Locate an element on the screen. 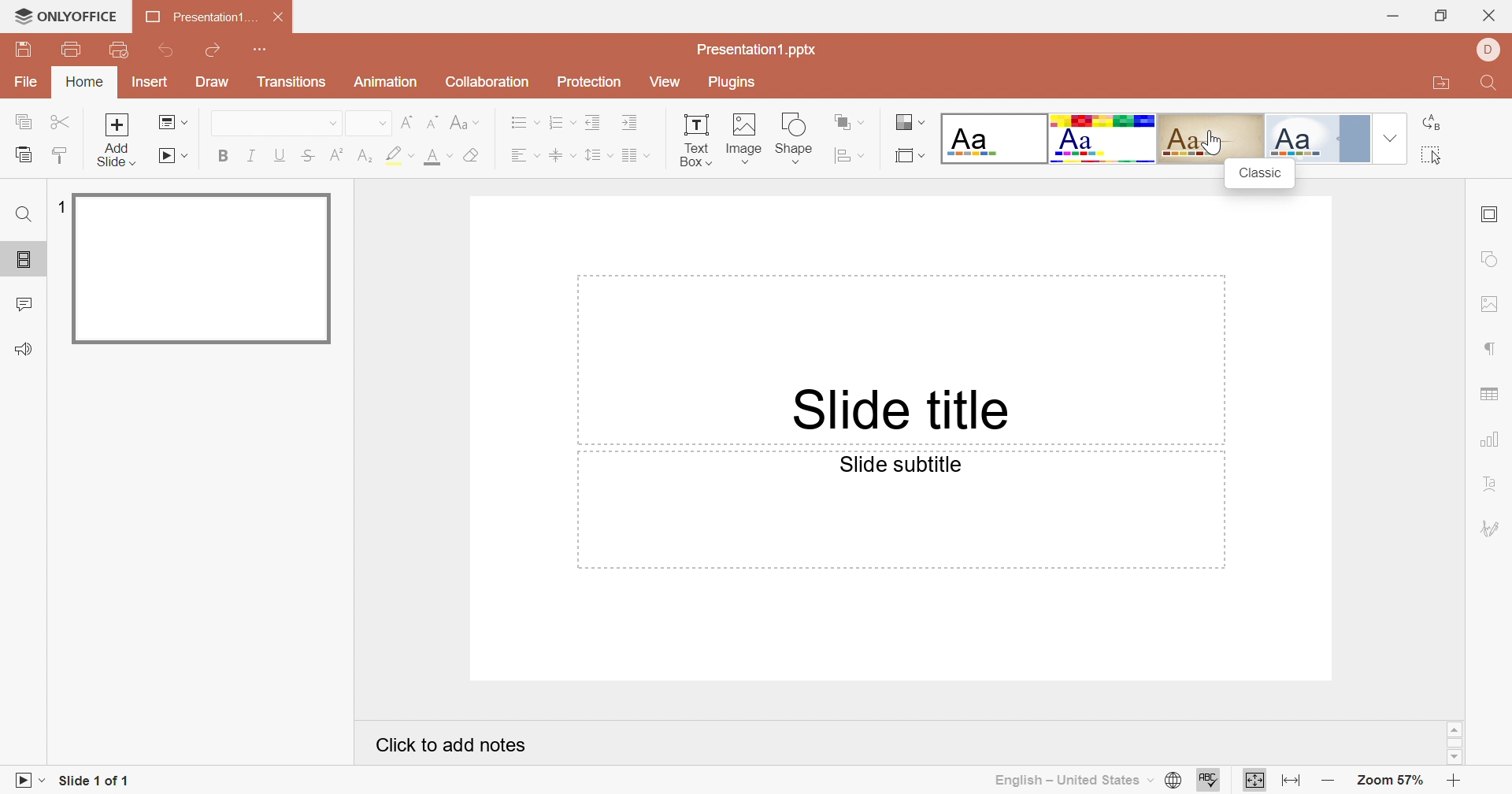 Image resolution: width=1512 pixels, height=794 pixels. Animation is located at coordinates (386, 82).